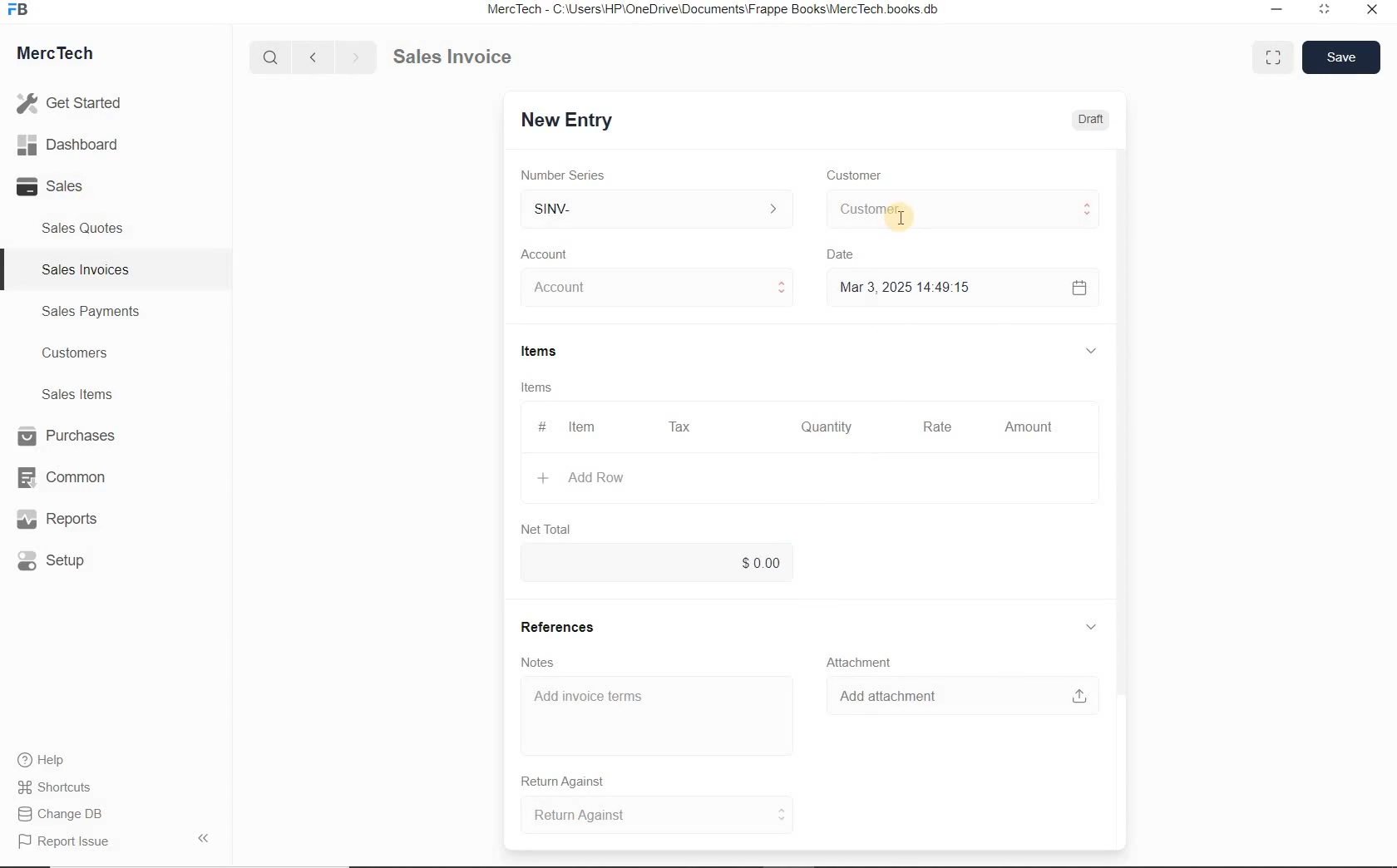 This screenshot has width=1397, height=868. What do you see at coordinates (590, 478) in the screenshot?
I see `+ Add Row` at bounding box center [590, 478].